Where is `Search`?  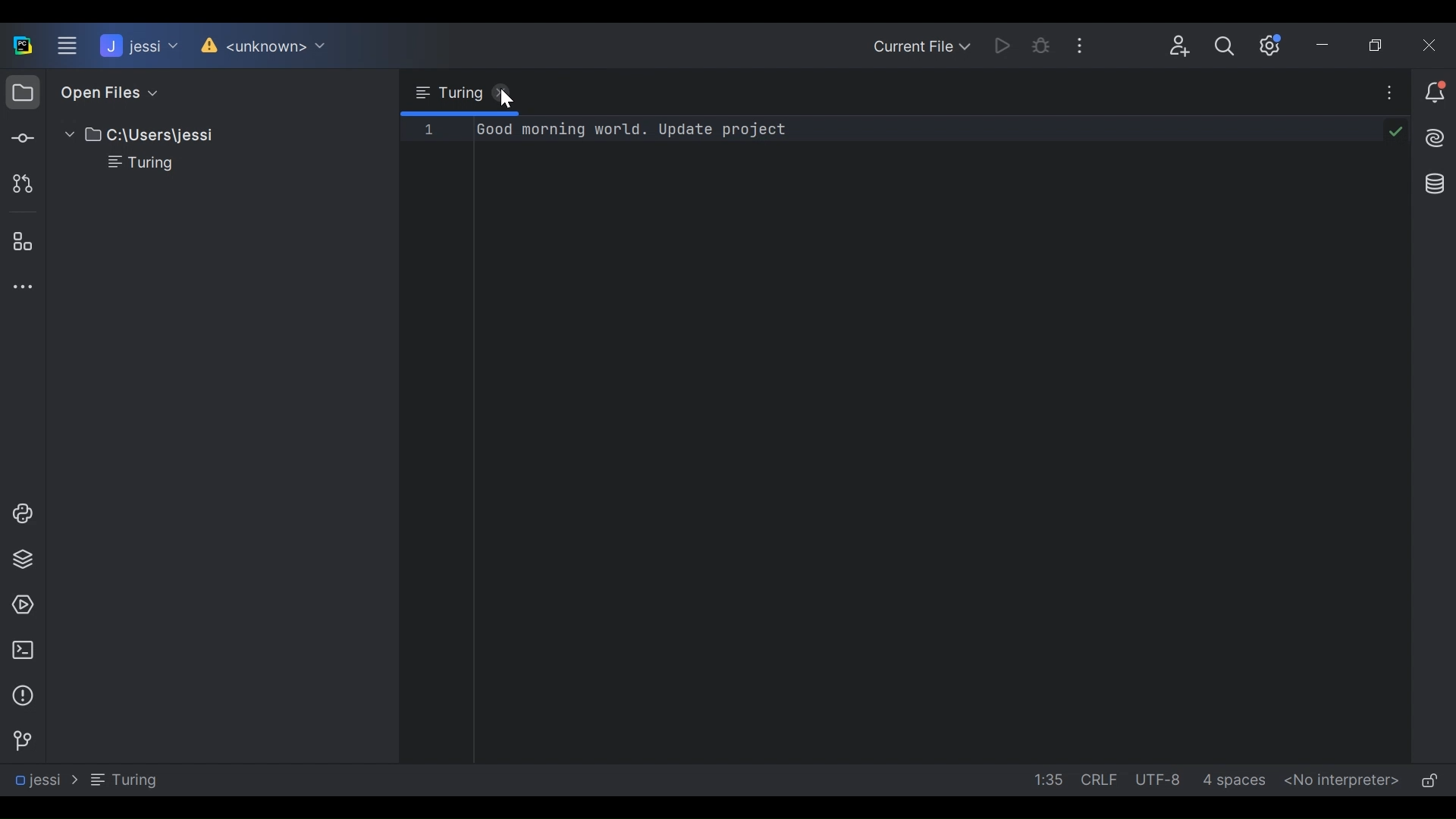 Search is located at coordinates (1225, 45).